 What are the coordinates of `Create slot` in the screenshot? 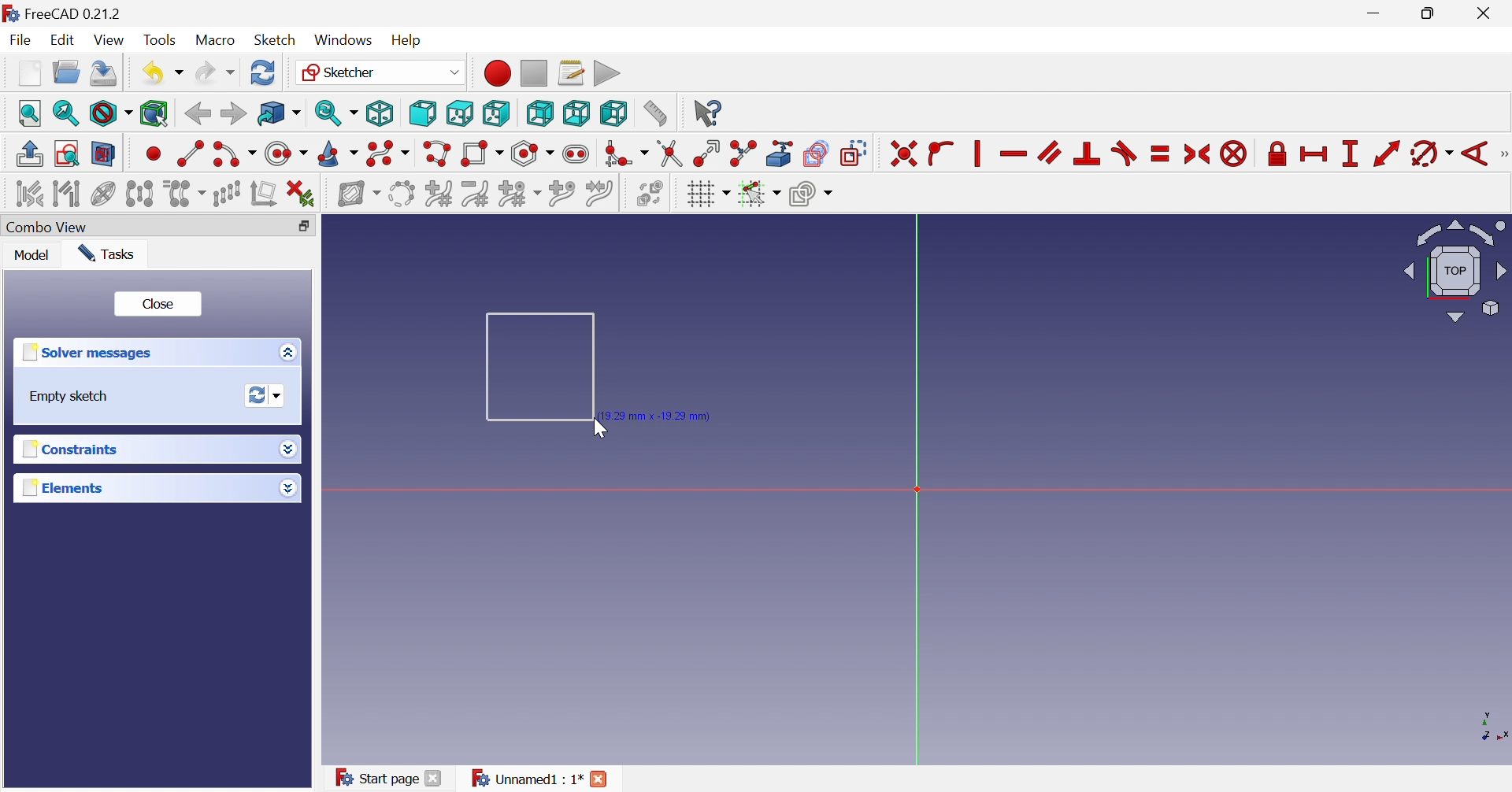 It's located at (578, 154).